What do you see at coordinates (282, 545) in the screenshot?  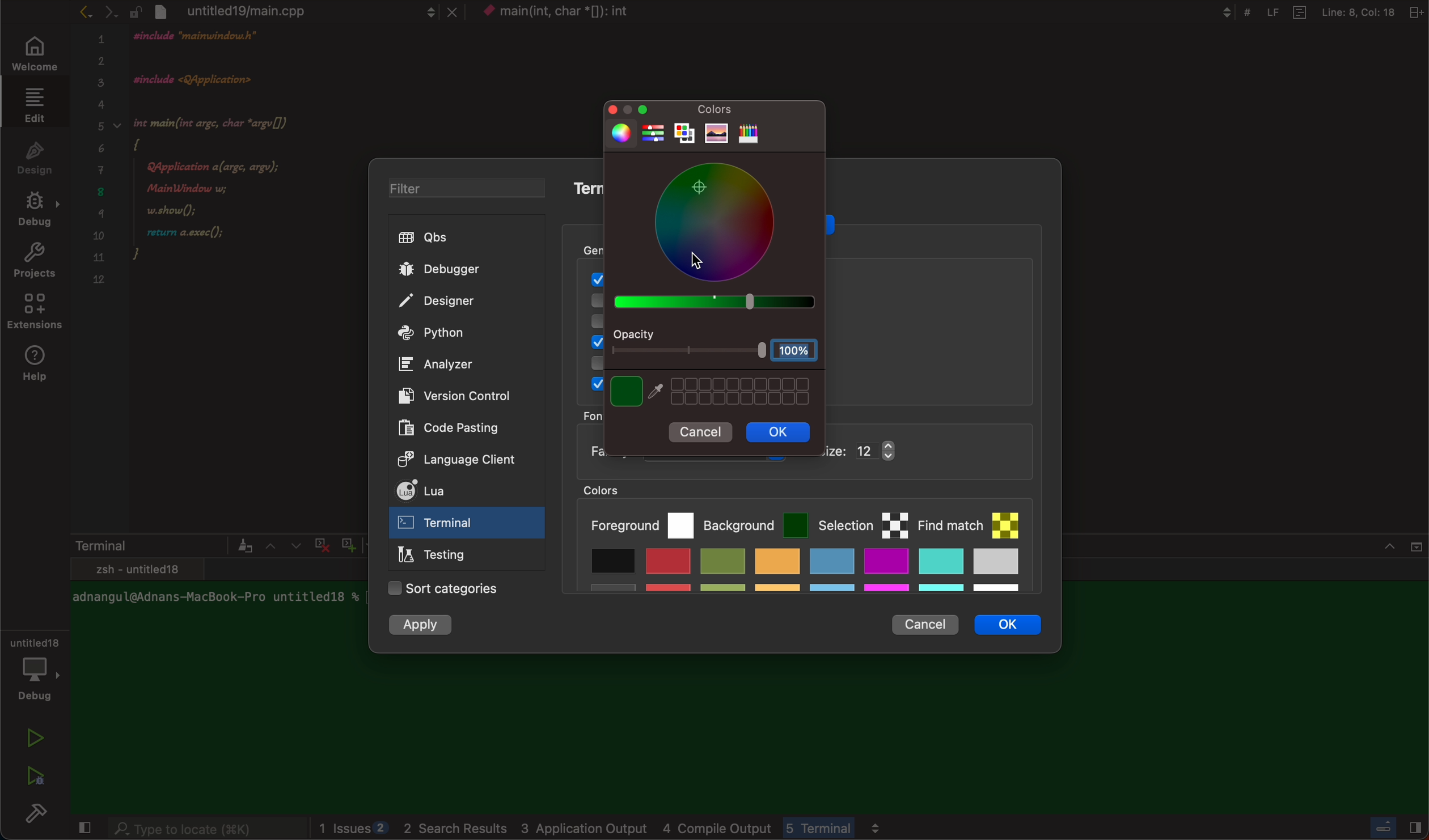 I see `arrows` at bounding box center [282, 545].